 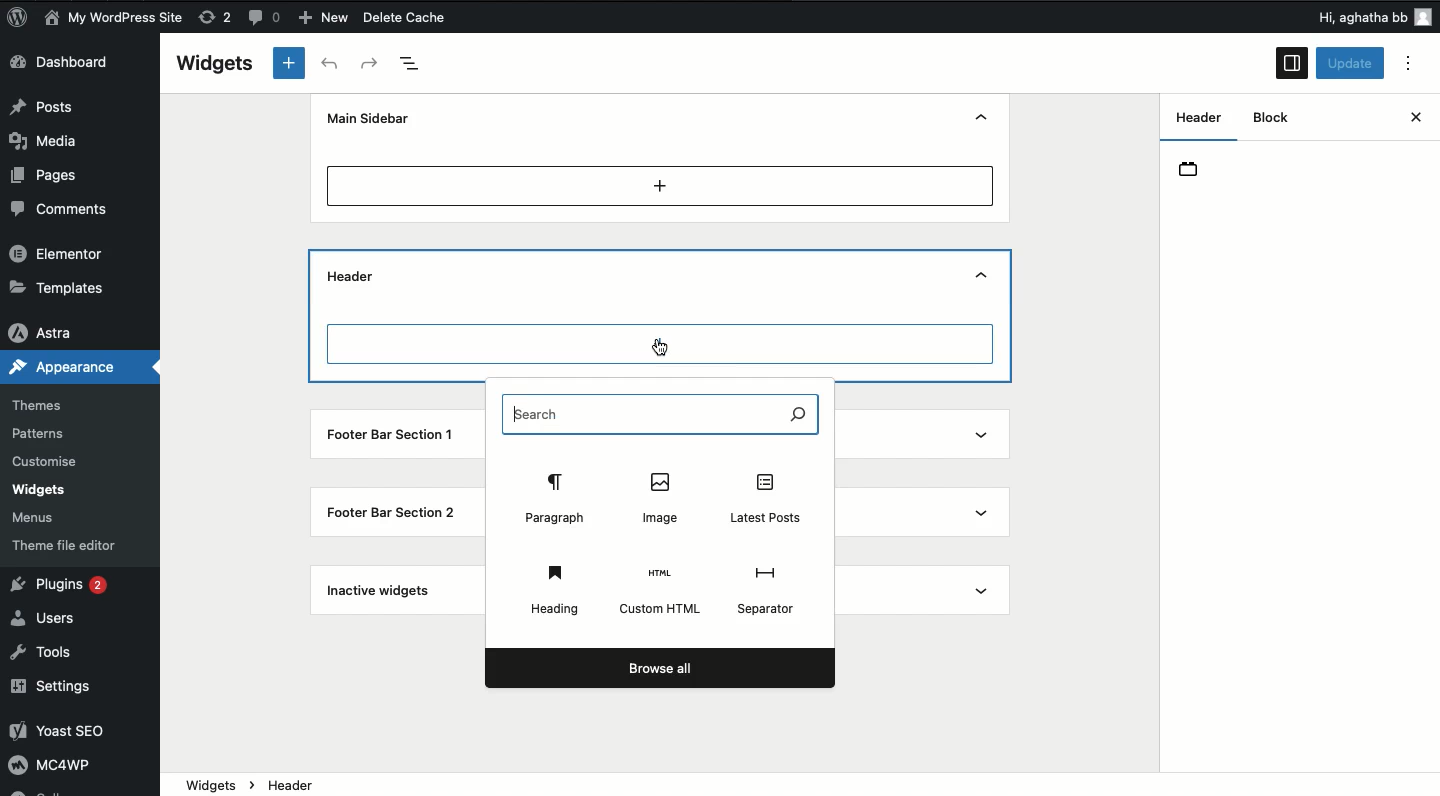 What do you see at coordinates (329, 64) in the screenshot?
I see `Undo` at bounding box center [329, 64].